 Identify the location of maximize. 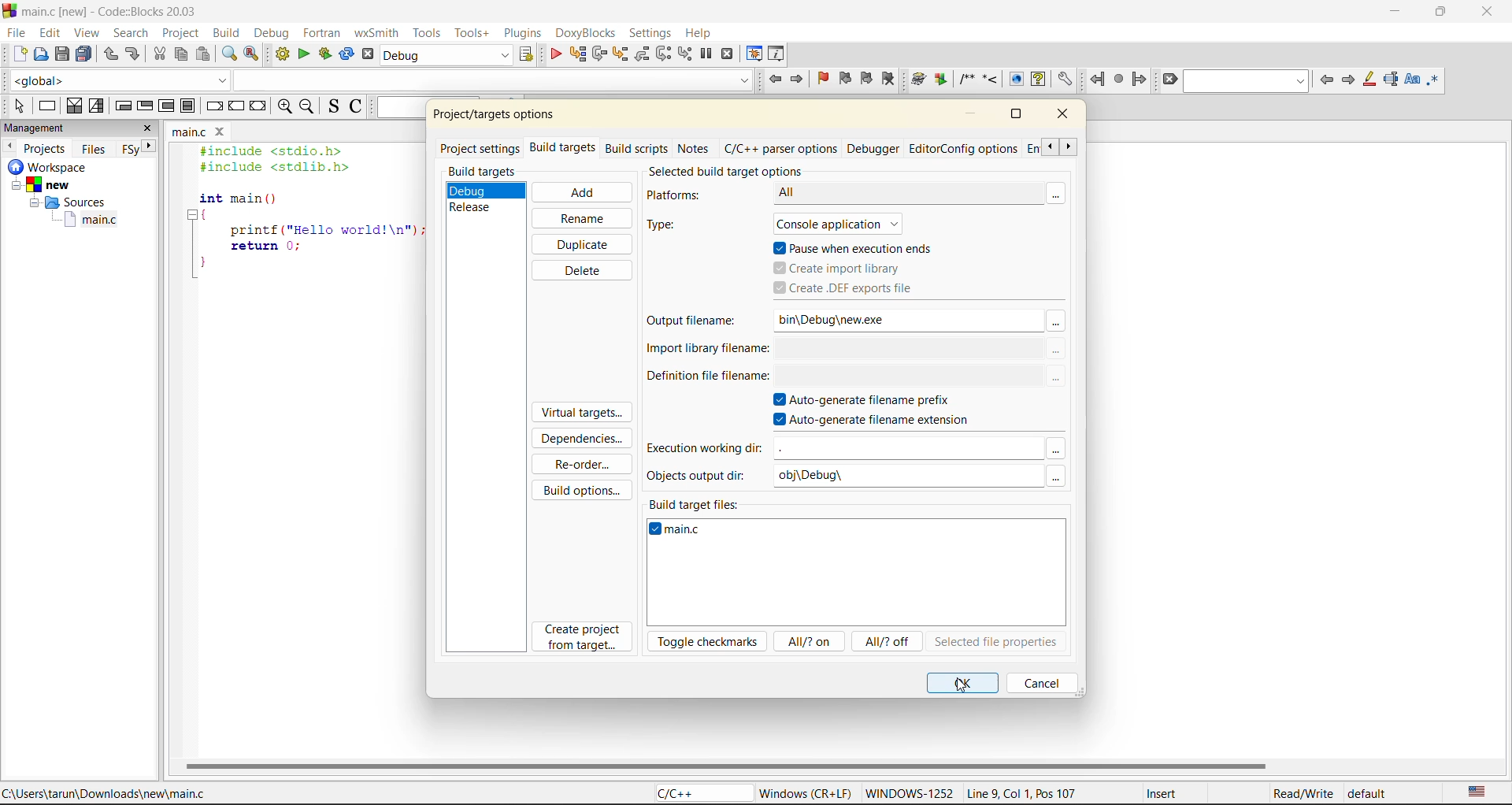
(1015, 113).